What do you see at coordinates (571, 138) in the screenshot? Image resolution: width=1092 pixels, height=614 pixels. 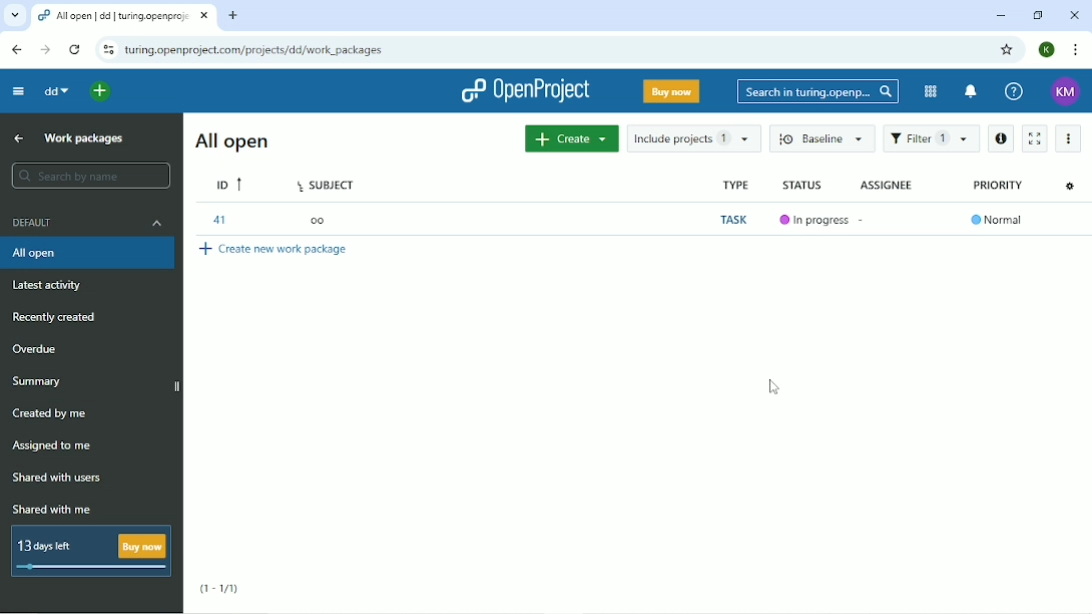 I see `Create` at bounding box center [571, 138].